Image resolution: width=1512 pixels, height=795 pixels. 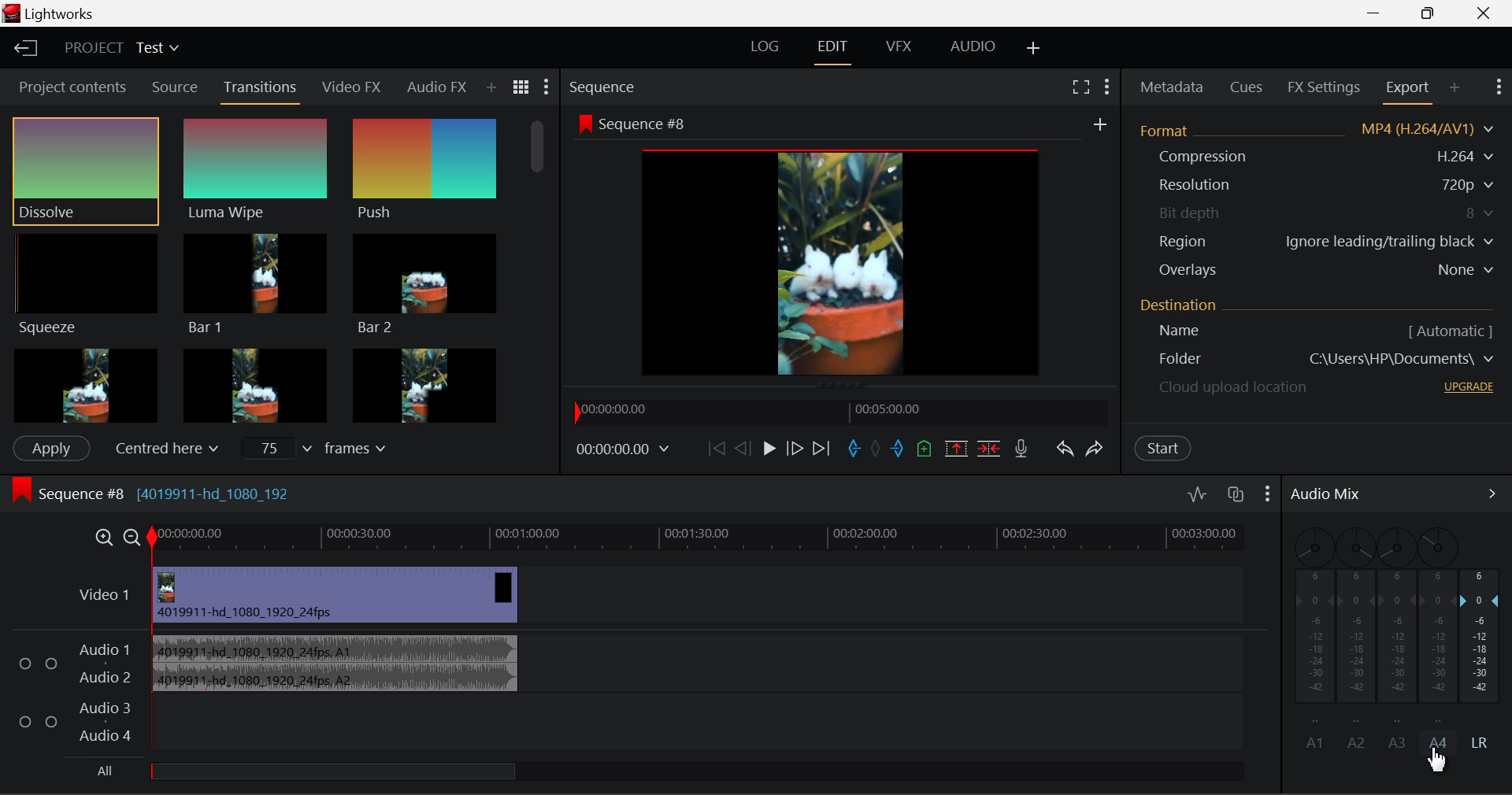 I want to click on To Start, so click(x=714, y=448).